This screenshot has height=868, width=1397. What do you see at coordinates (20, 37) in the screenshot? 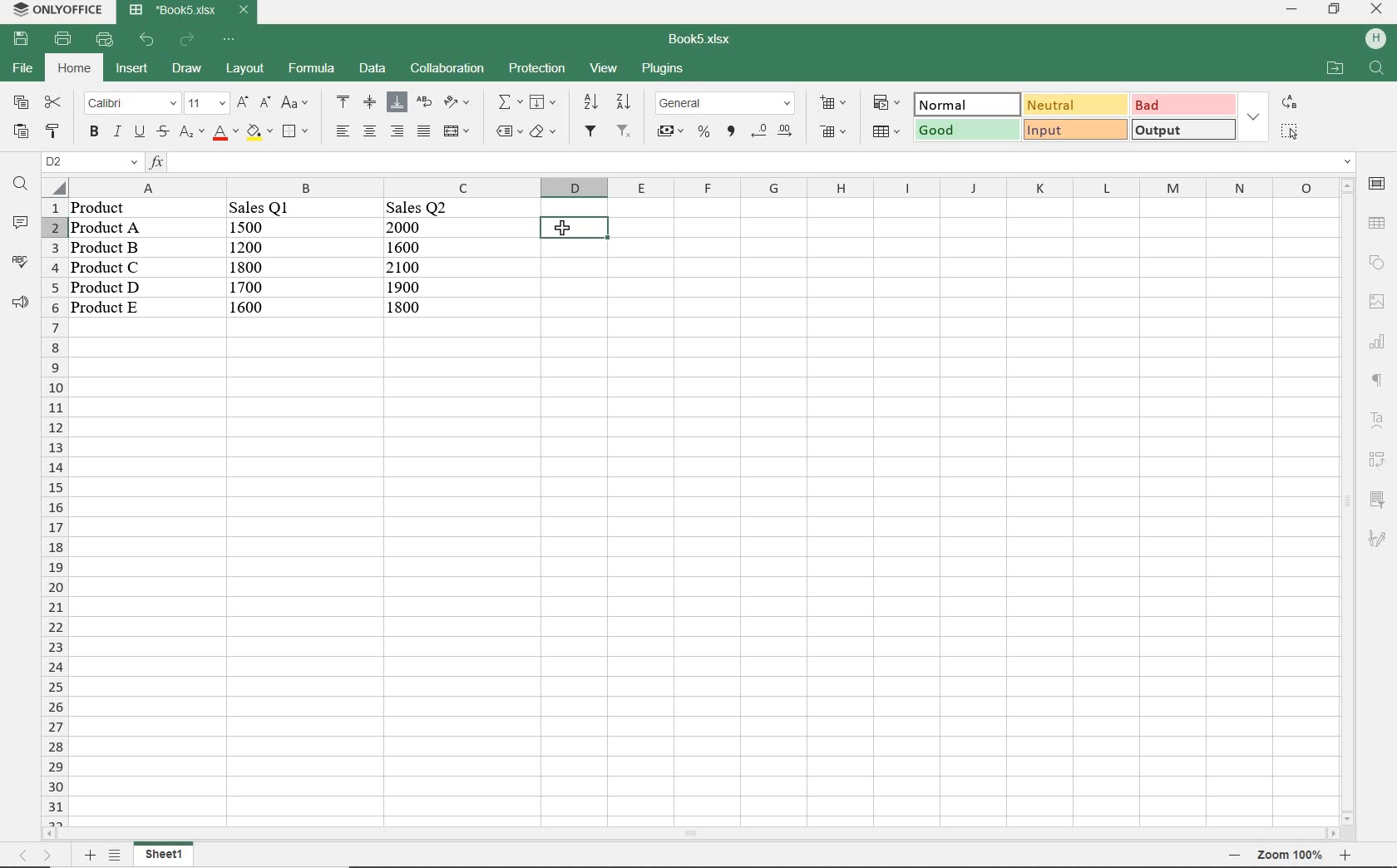
I see `save` at bounding box center [20, 37].